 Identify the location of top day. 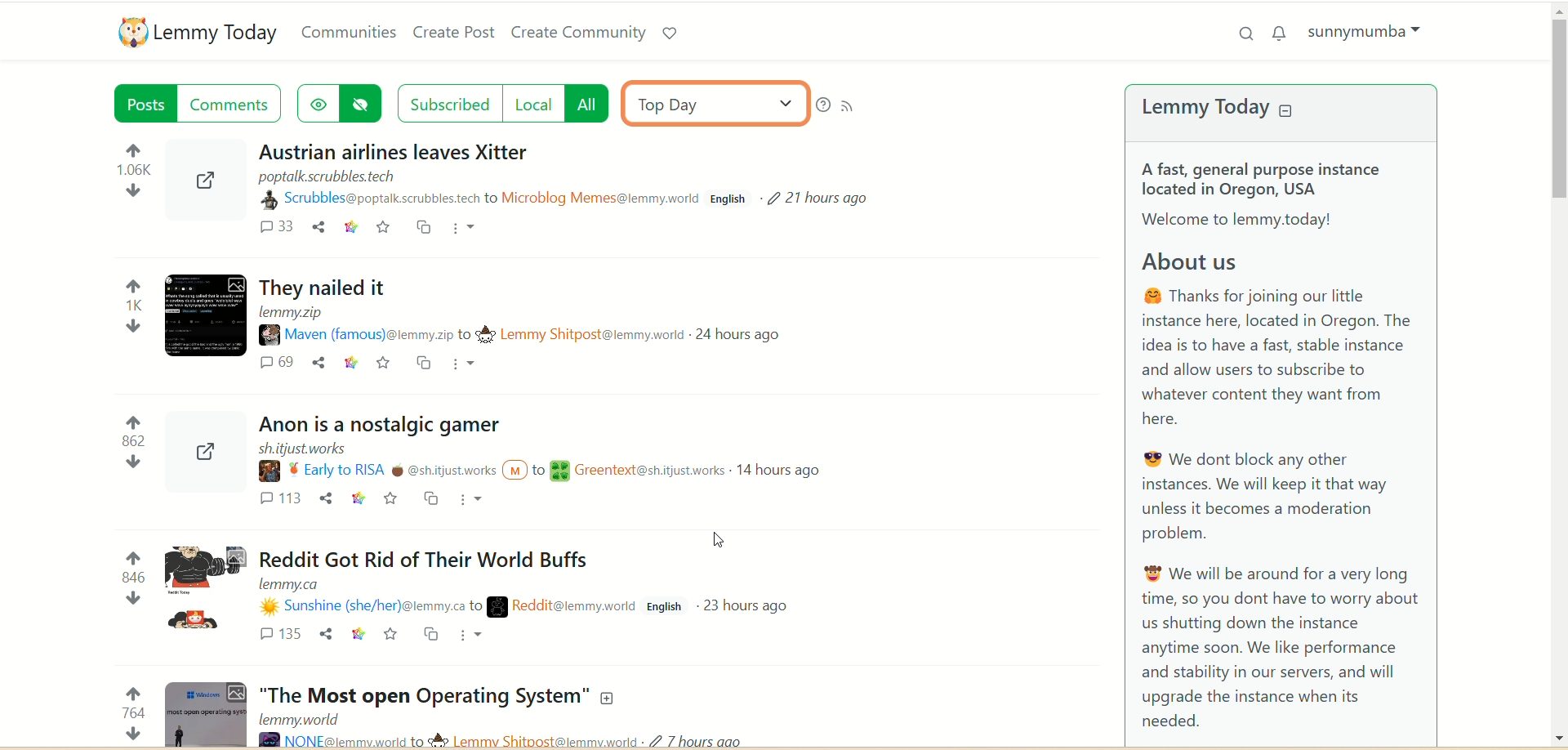
(712, 103).